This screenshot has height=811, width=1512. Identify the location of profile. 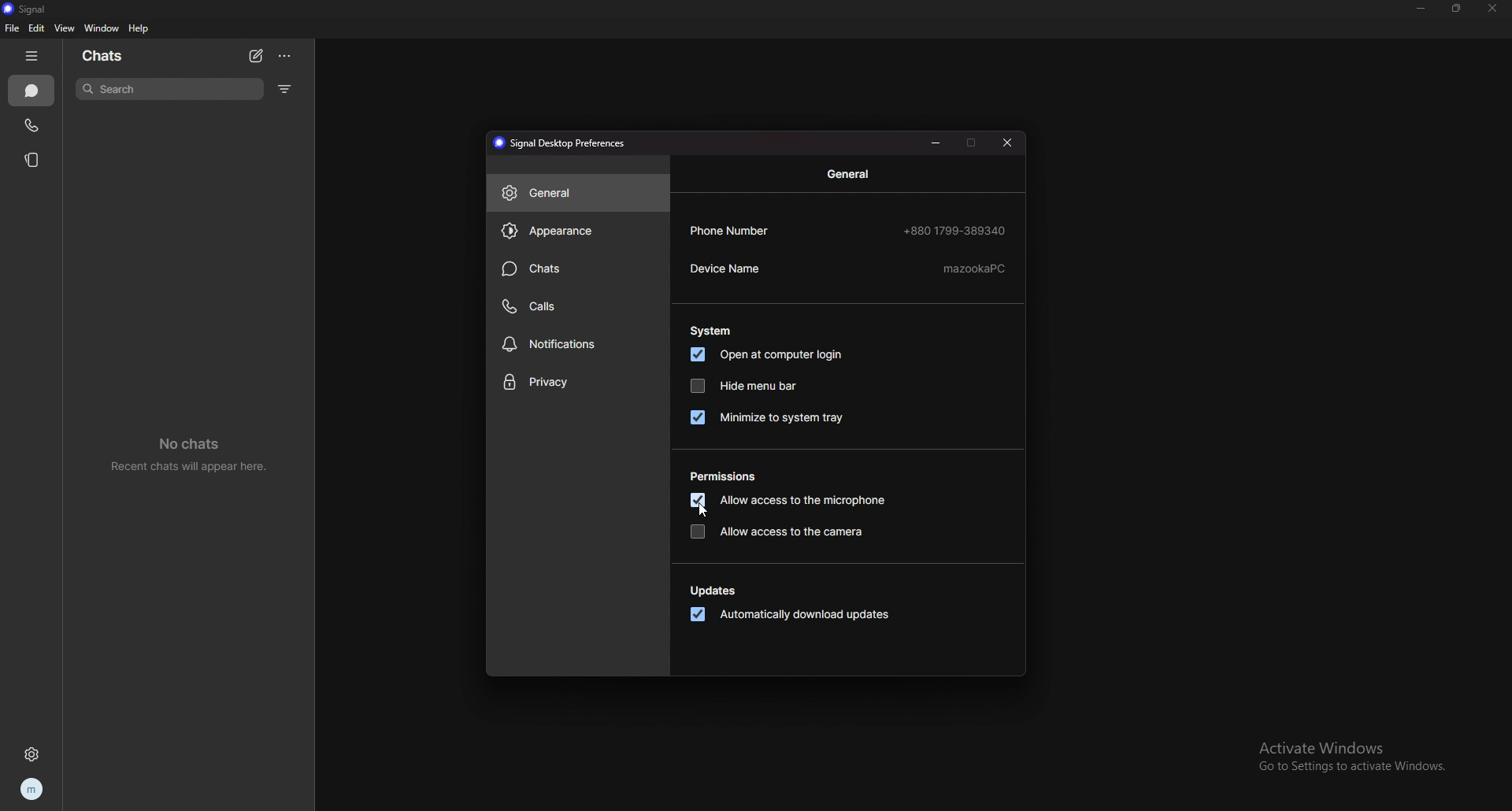
(31, 789).